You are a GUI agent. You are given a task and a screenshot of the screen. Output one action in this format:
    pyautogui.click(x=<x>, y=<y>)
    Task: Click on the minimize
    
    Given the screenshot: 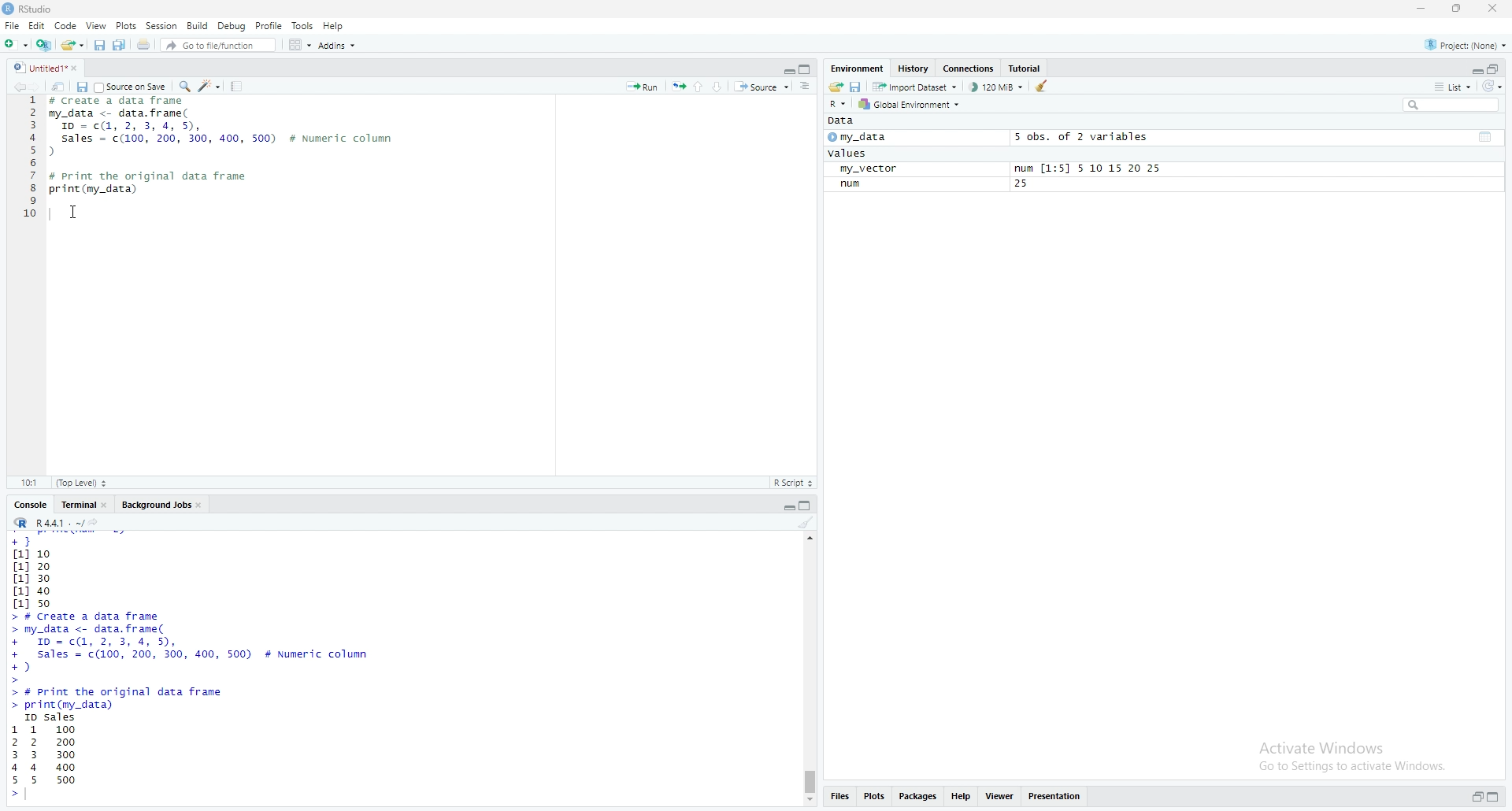 What is the action you would take?
    pyautogui.click(x=784, y=69)
    